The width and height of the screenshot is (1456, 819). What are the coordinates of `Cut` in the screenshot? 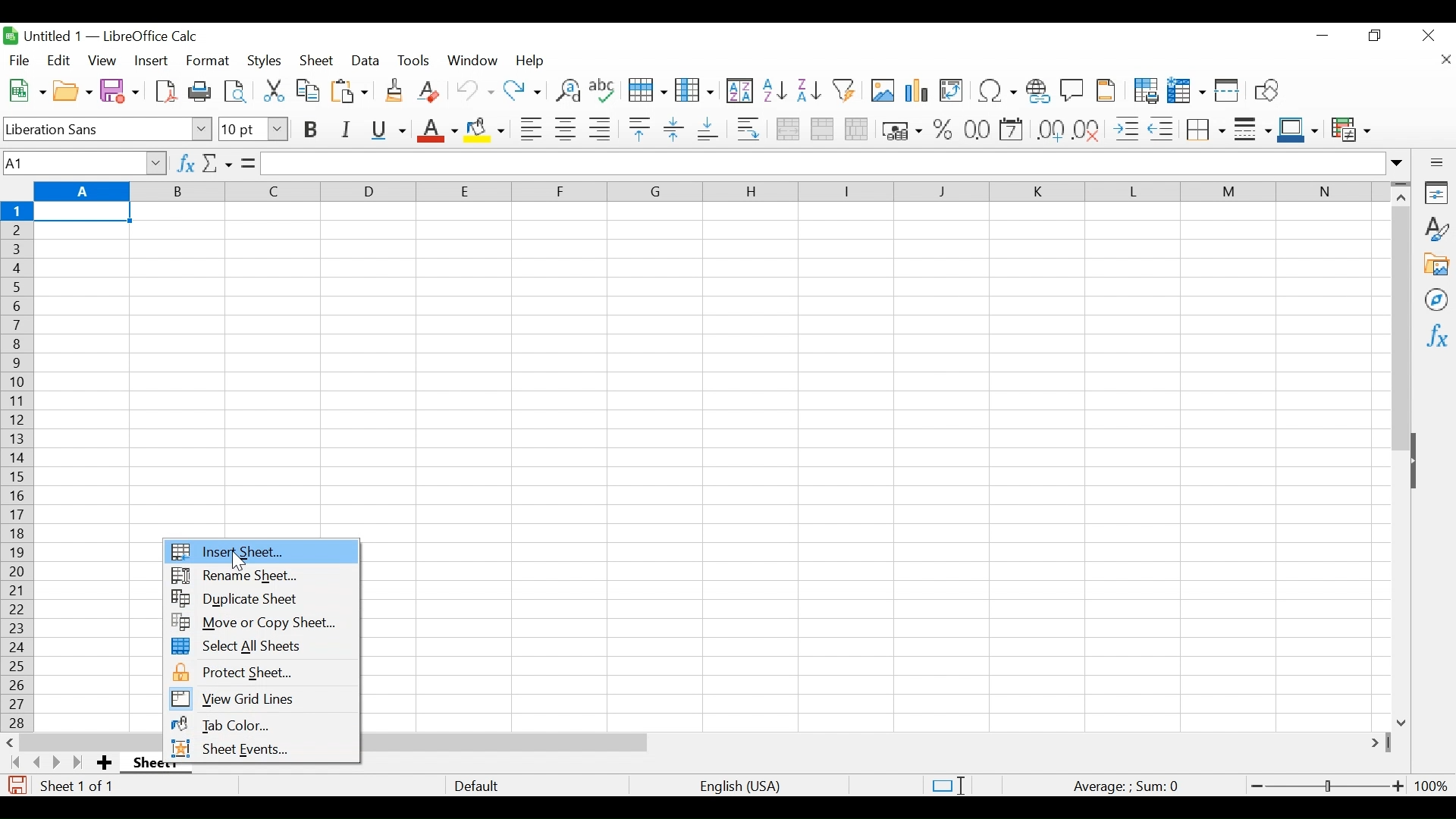 It's located at (271, 89).